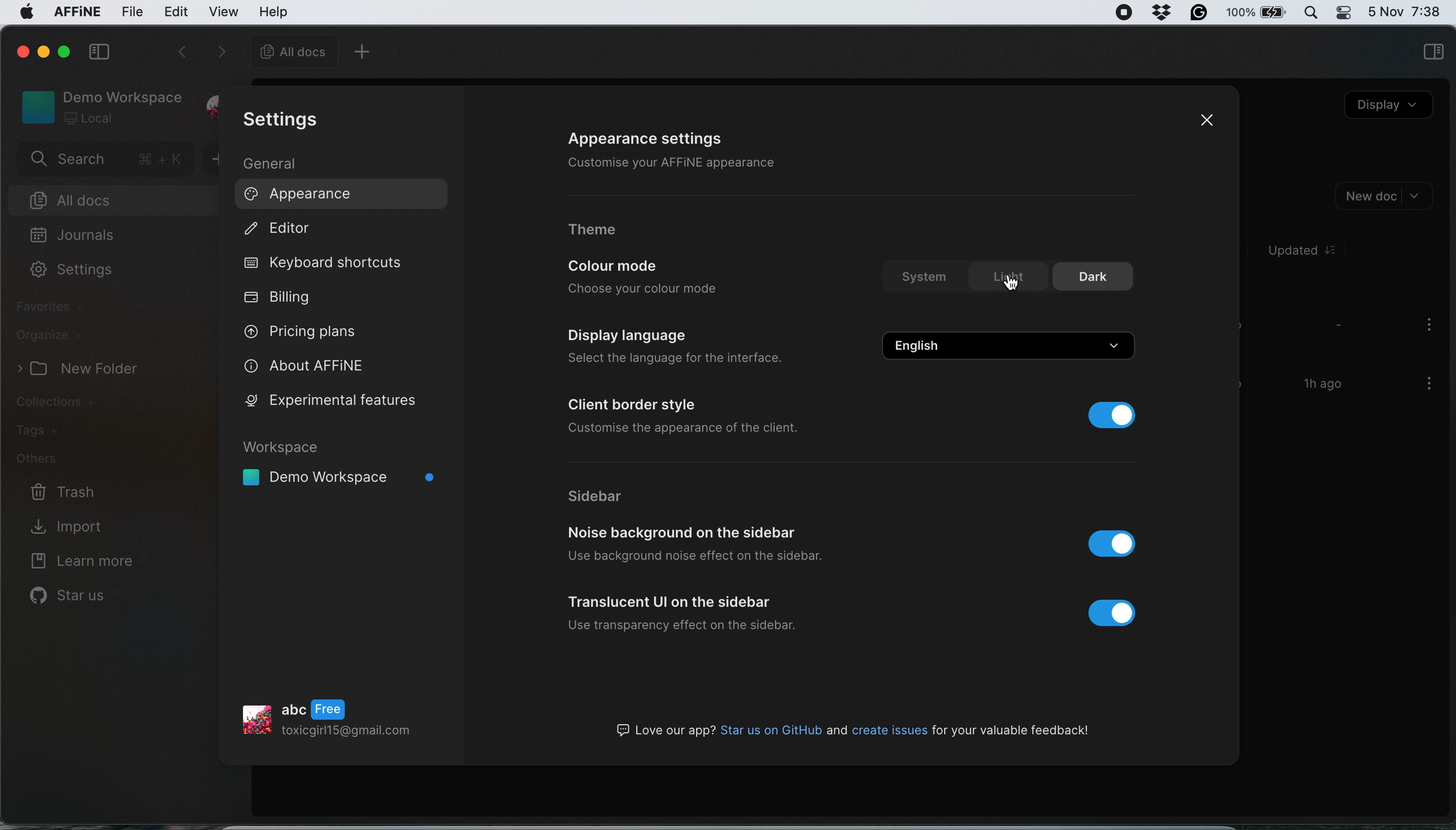  I want to click on workspace, so click(341, 446).